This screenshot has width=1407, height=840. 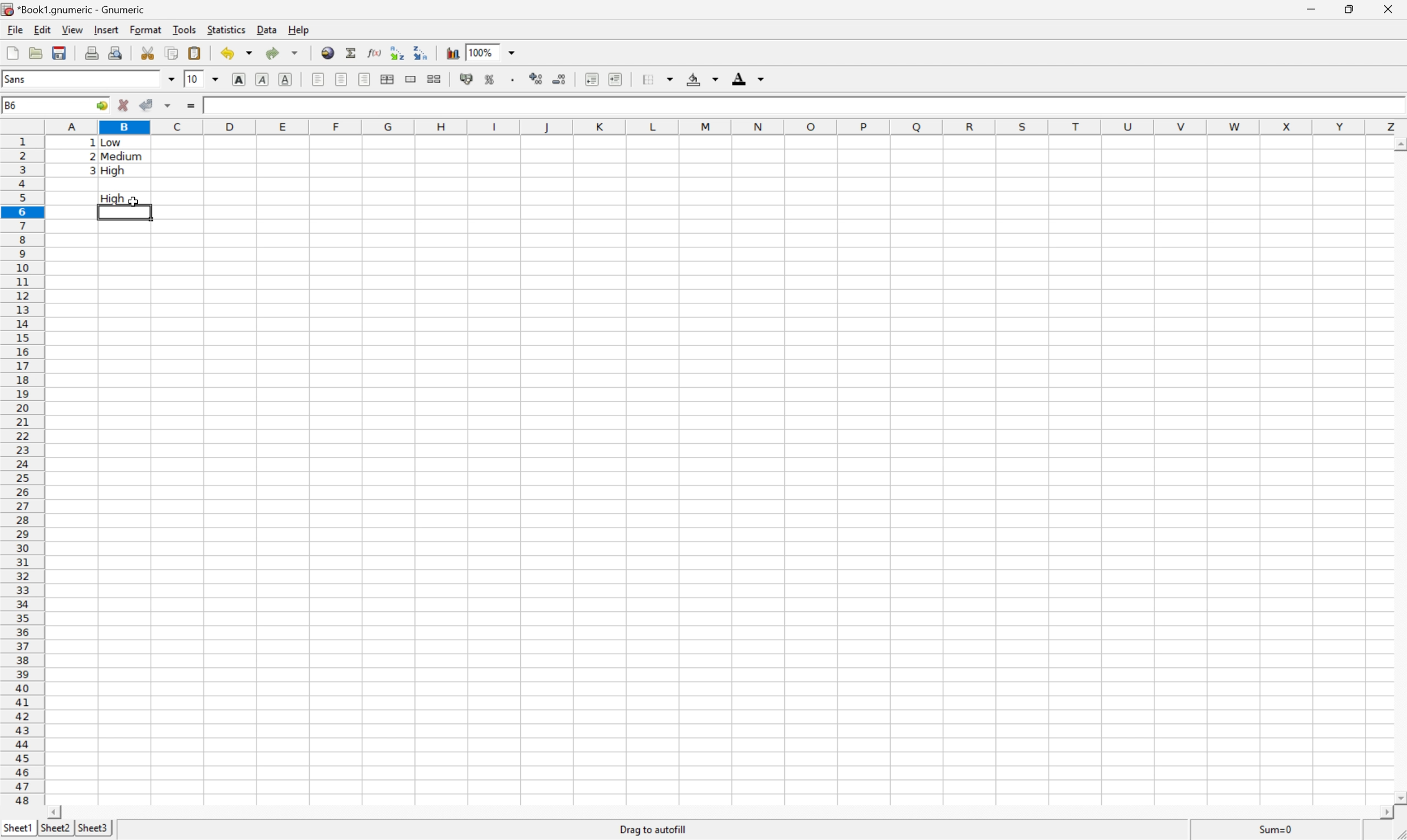 What do you see at coordinates (227, 28) in the screenshot?
I see `Statistics` at bounding box center [227, 28].